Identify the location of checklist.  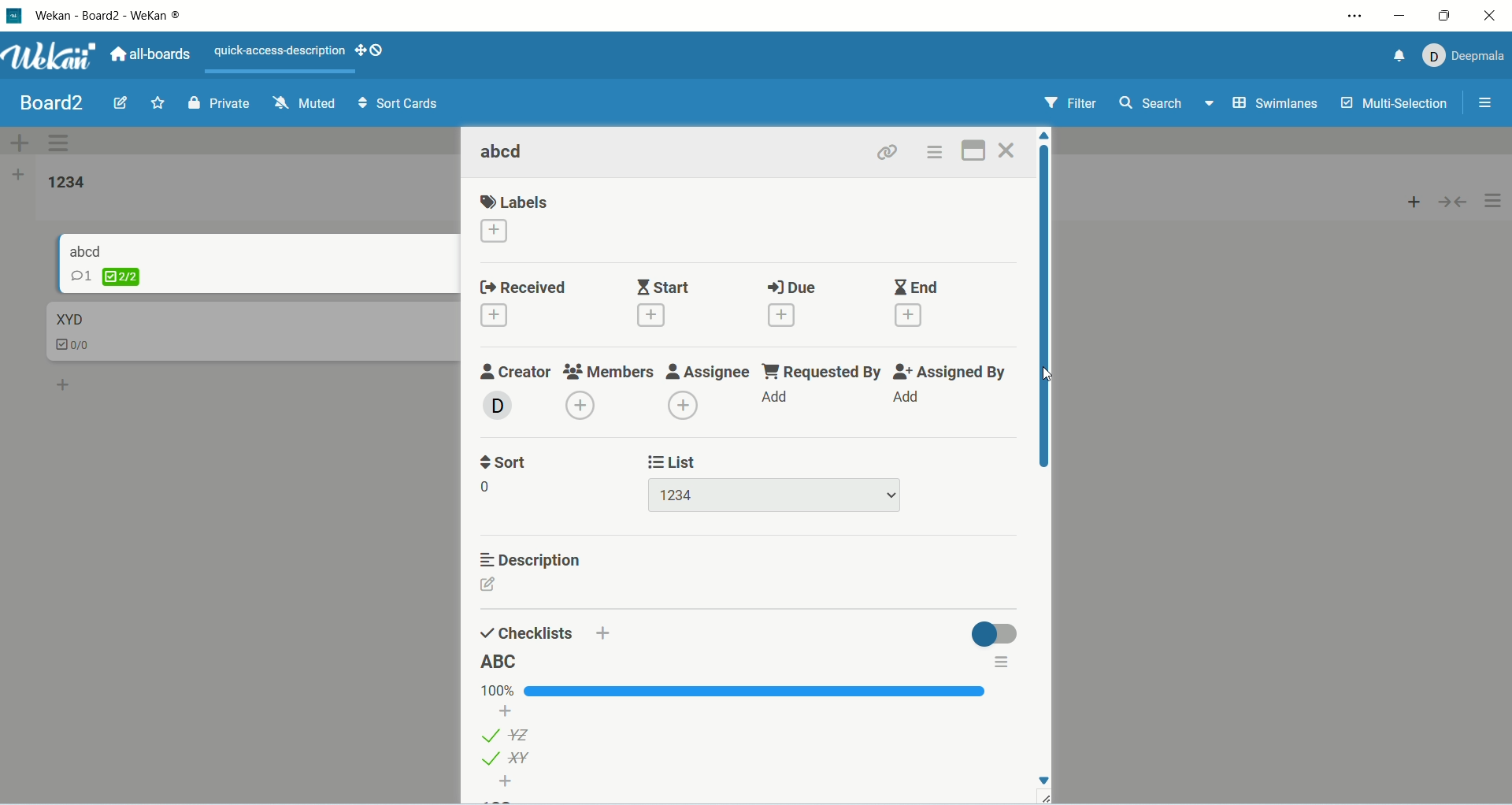
(80, 347).